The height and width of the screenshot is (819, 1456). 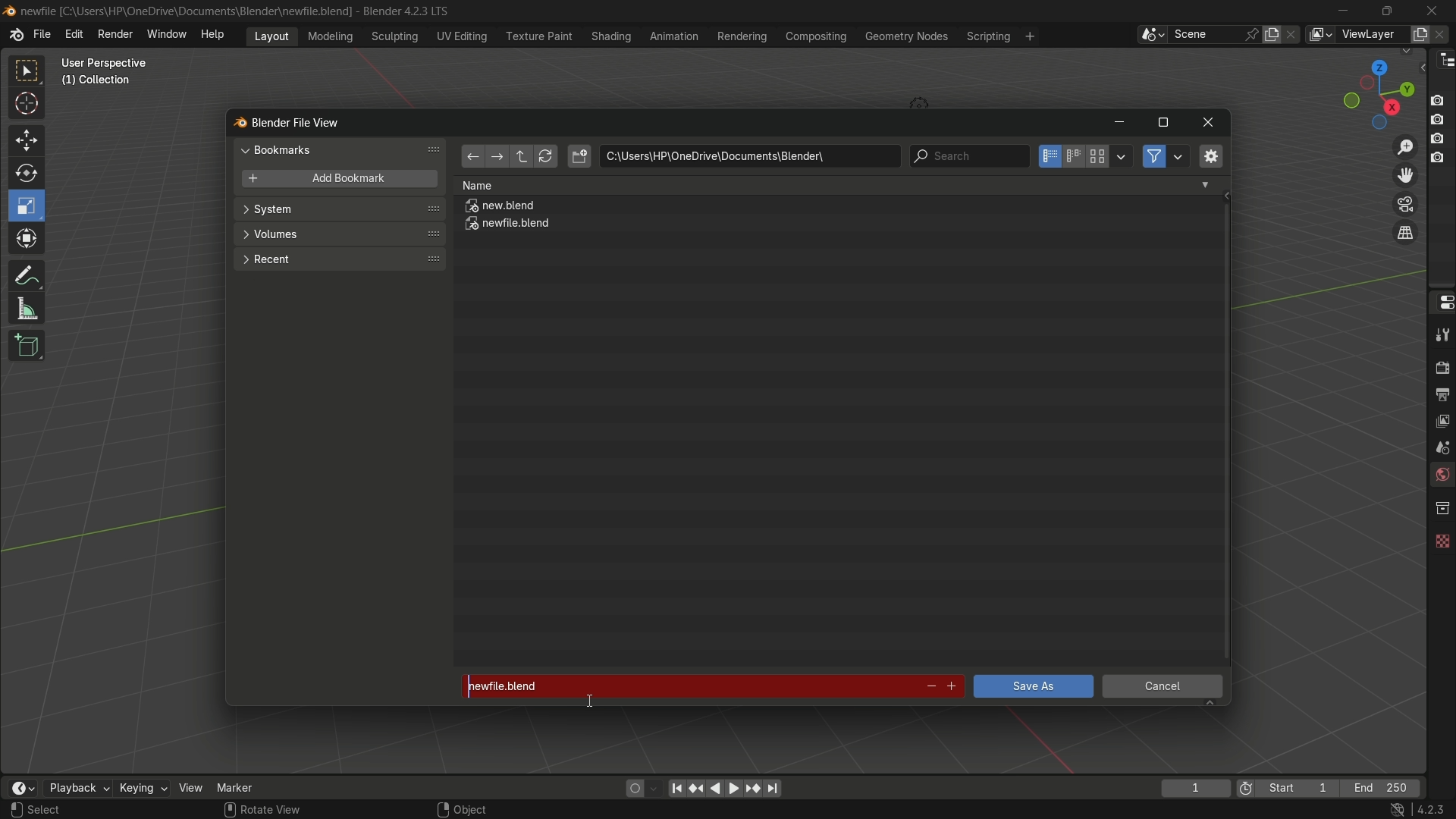 What do you see at coordinates (968, 156) in the screenshot?
I see `search bar` at bounding box center [968, 156].